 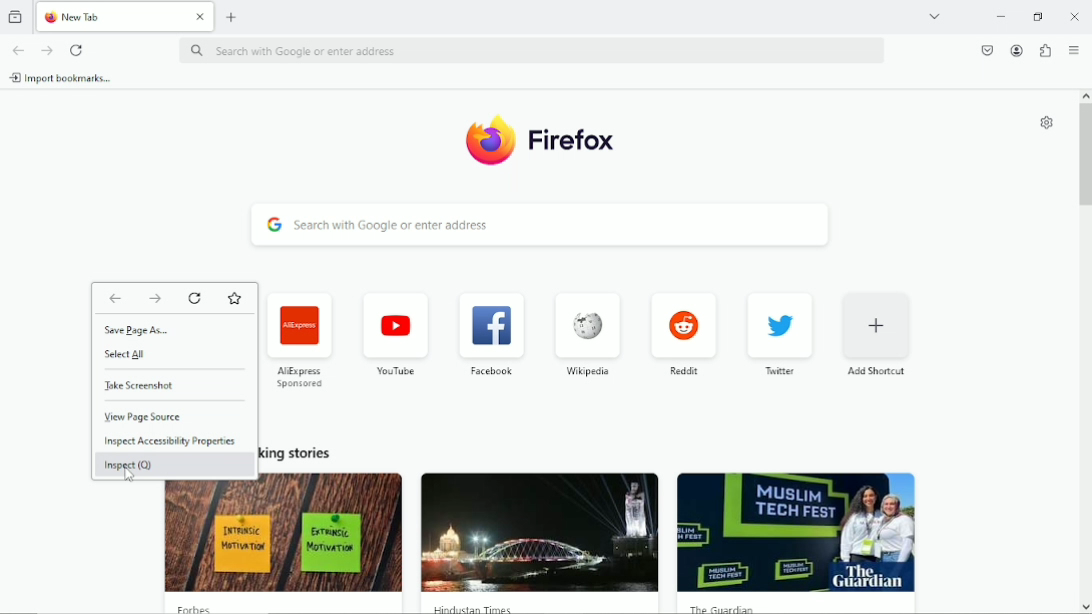 What do you see at coordinates (67, 78) in the screenshot?
I see `import bookmarks` at bounding box center [67, 78].